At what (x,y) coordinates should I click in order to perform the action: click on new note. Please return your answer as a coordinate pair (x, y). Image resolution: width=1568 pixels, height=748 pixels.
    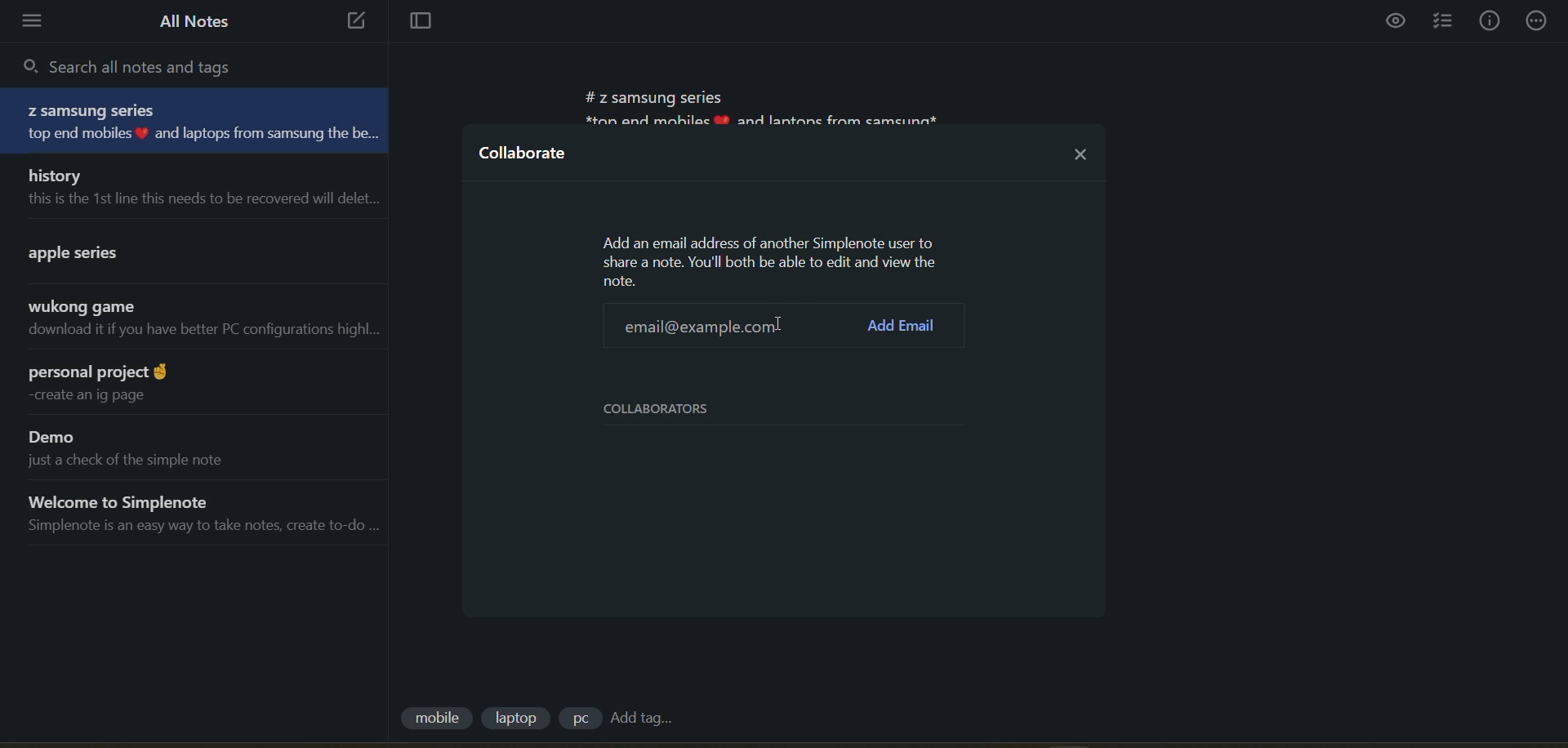
    Looking at the image, I should click on (351, 22).